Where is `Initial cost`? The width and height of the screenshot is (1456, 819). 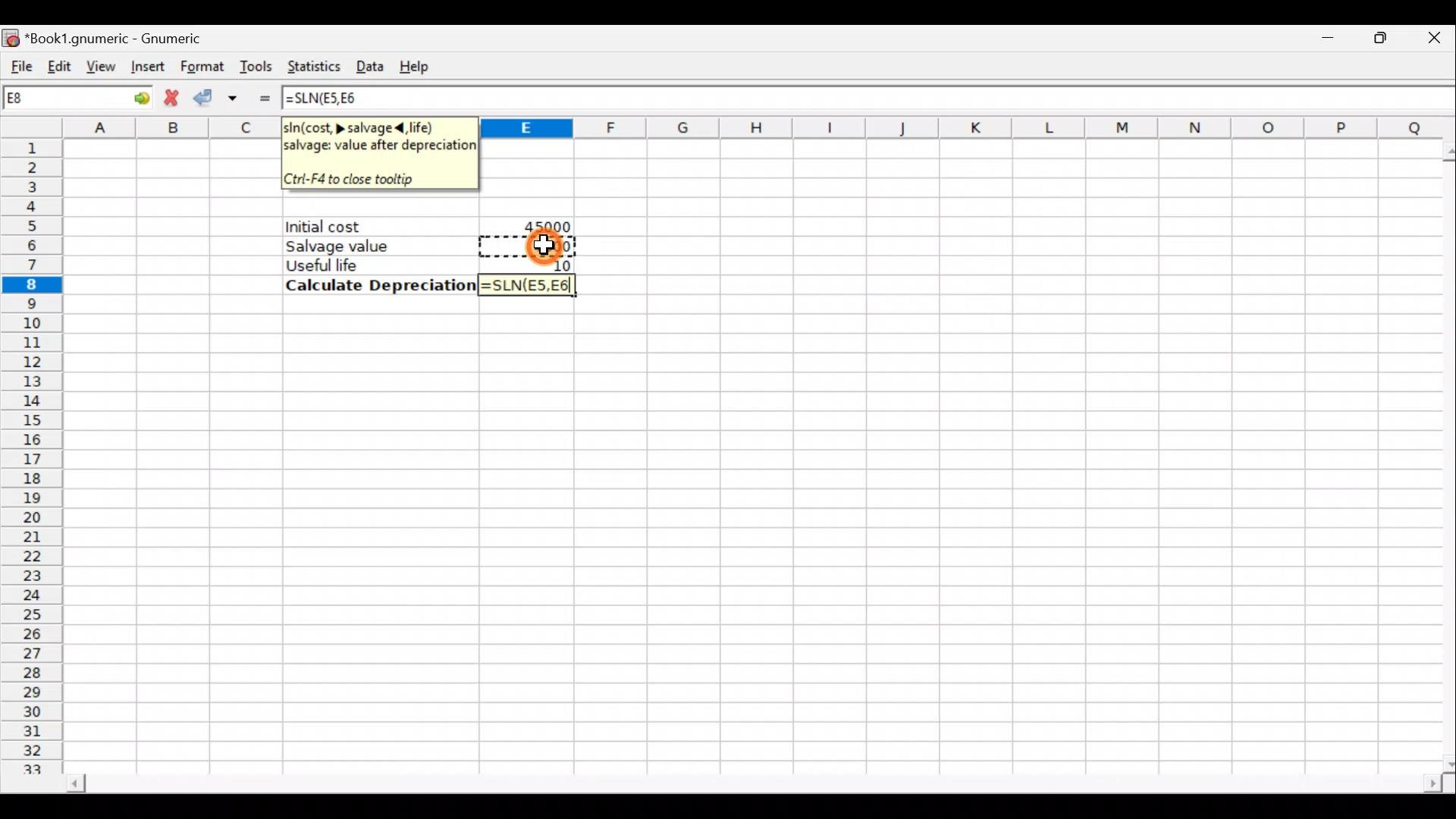 Initial cost is located at coordinates (382, 227).